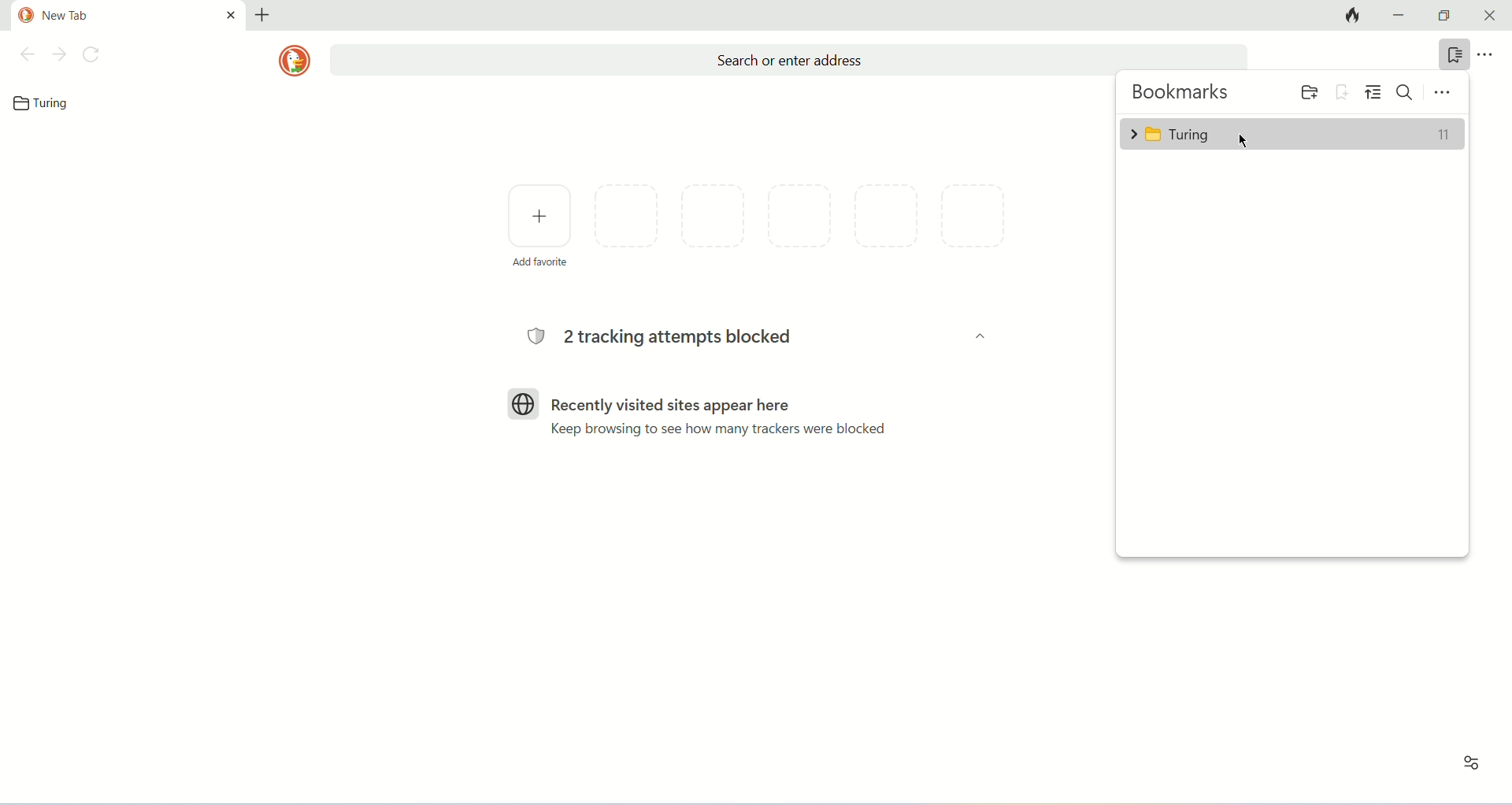 The height and width of the screenshot is (805, 1512). What do you see at coordinates (725, 415) in the screenshot?
I see `Recently visited sites appear here
Keep browsing to see how many trackers were blocked` at bounding box center [725, 415].